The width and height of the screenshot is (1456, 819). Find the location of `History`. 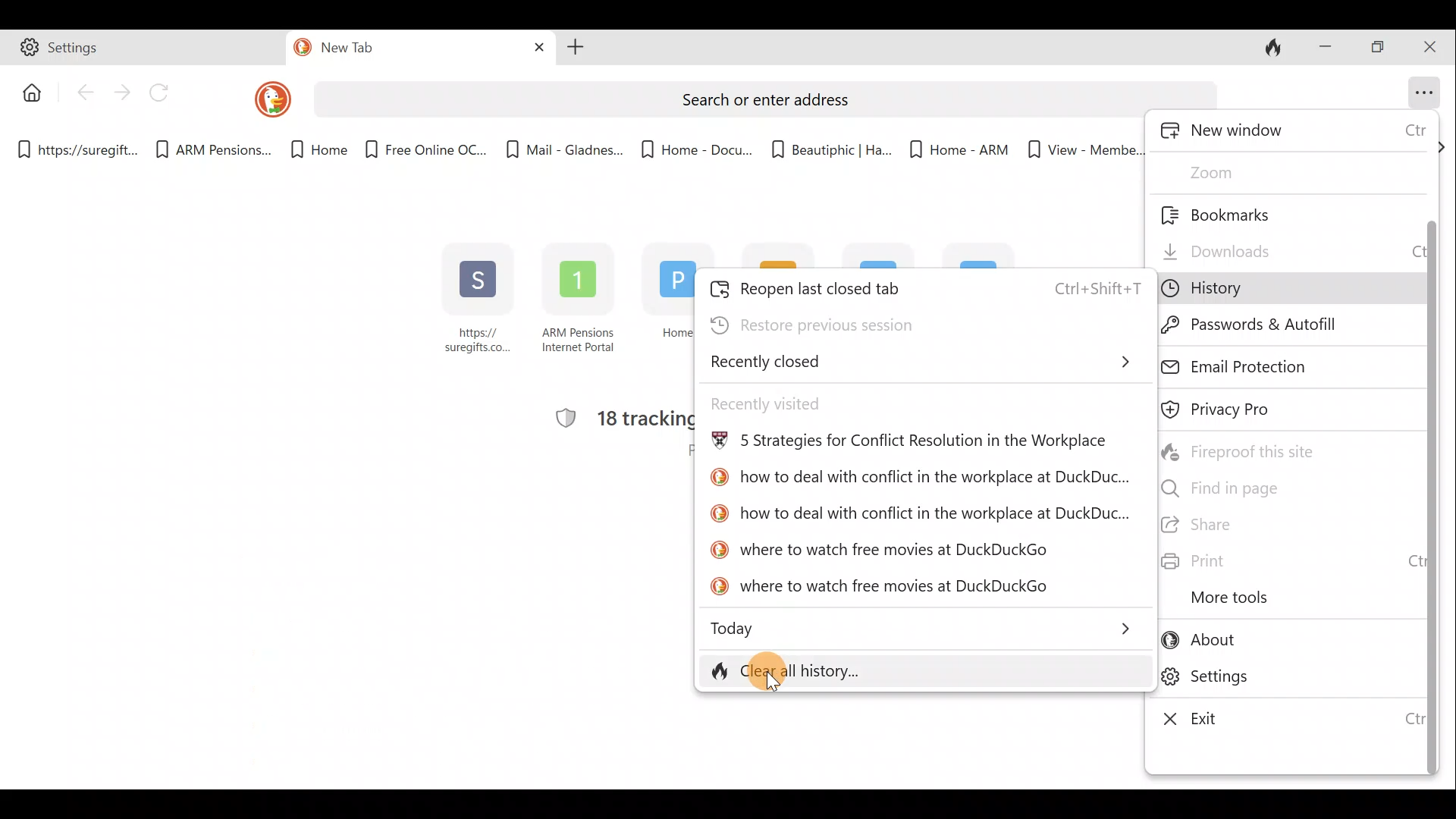

History is located at coordinates (1268, 288).